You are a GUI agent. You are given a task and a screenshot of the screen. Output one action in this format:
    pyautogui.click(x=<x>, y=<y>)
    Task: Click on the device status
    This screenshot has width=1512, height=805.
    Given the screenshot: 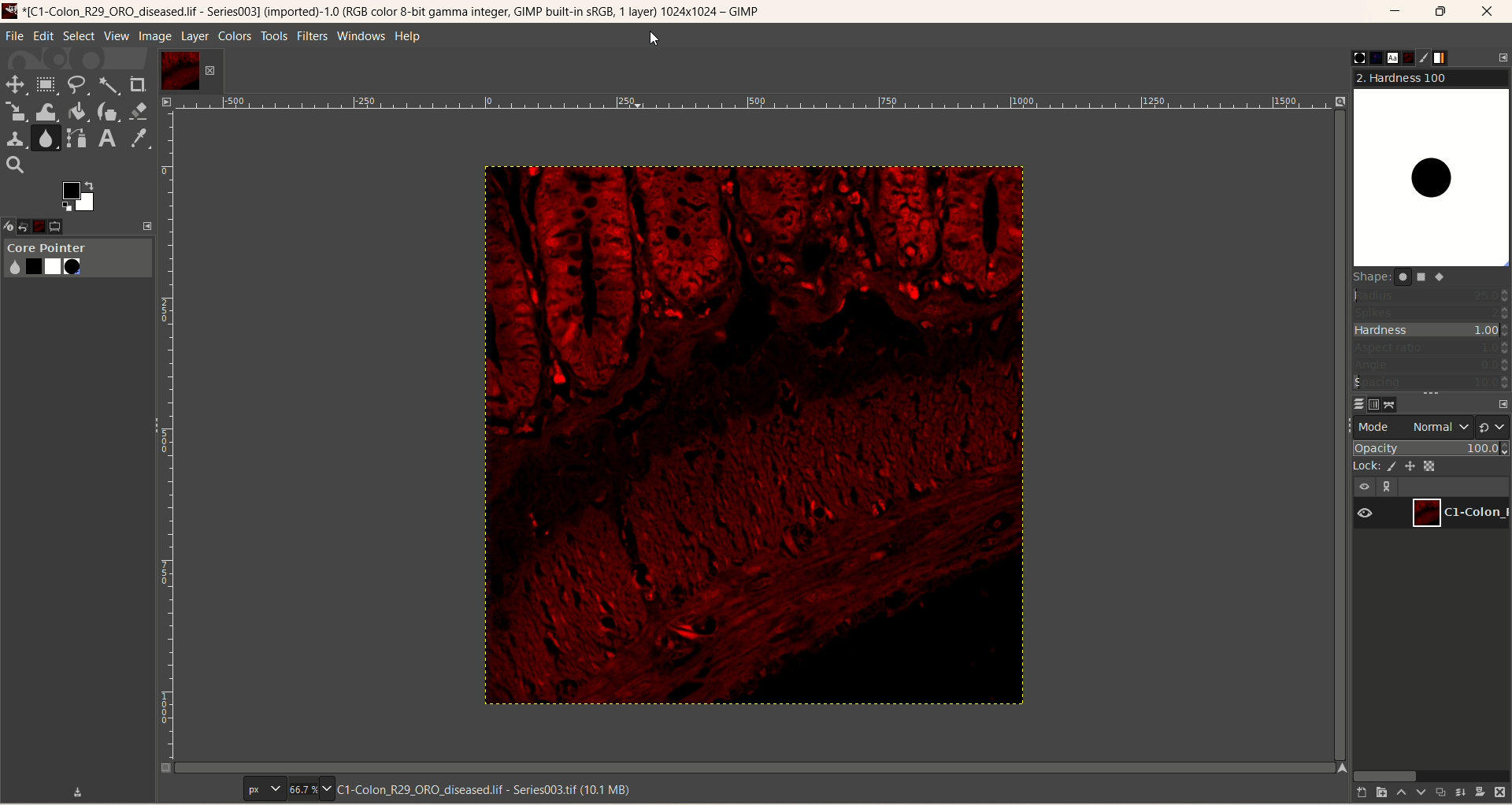 What is the action you would take?
    pyautogui.click(x=10, y=224)
    